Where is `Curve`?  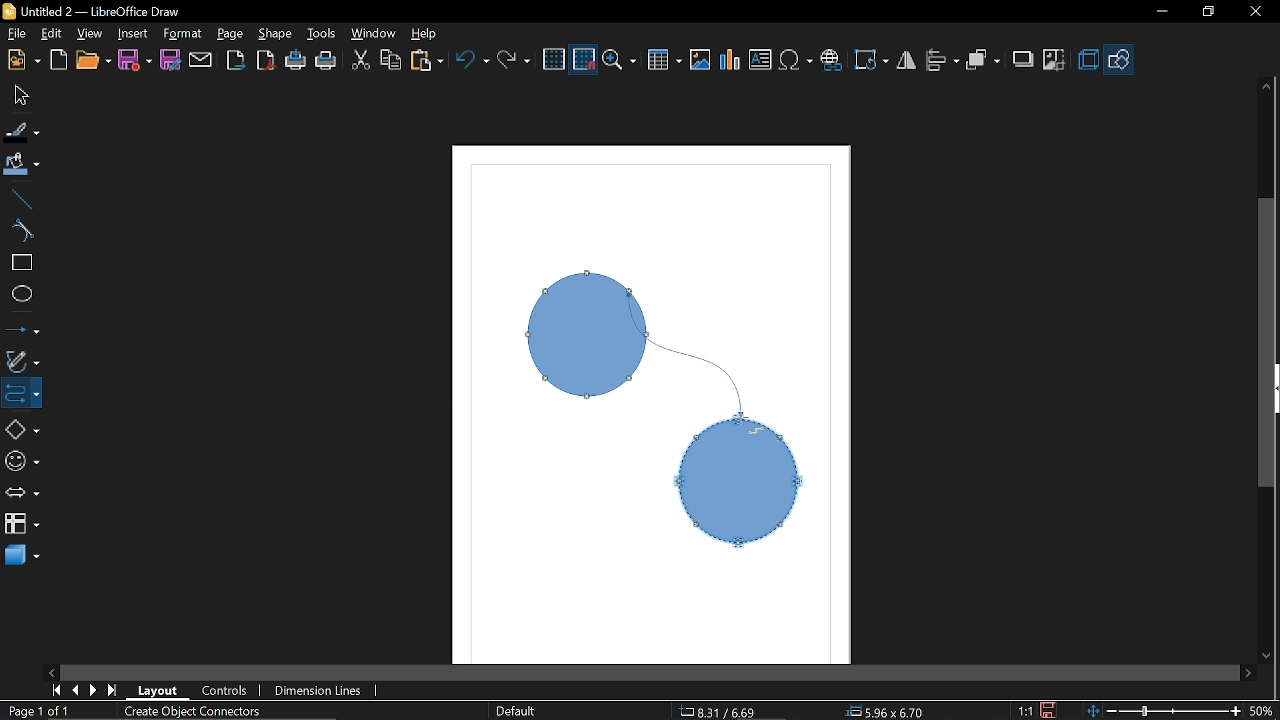 Curve is located at coordinates (18, 229).